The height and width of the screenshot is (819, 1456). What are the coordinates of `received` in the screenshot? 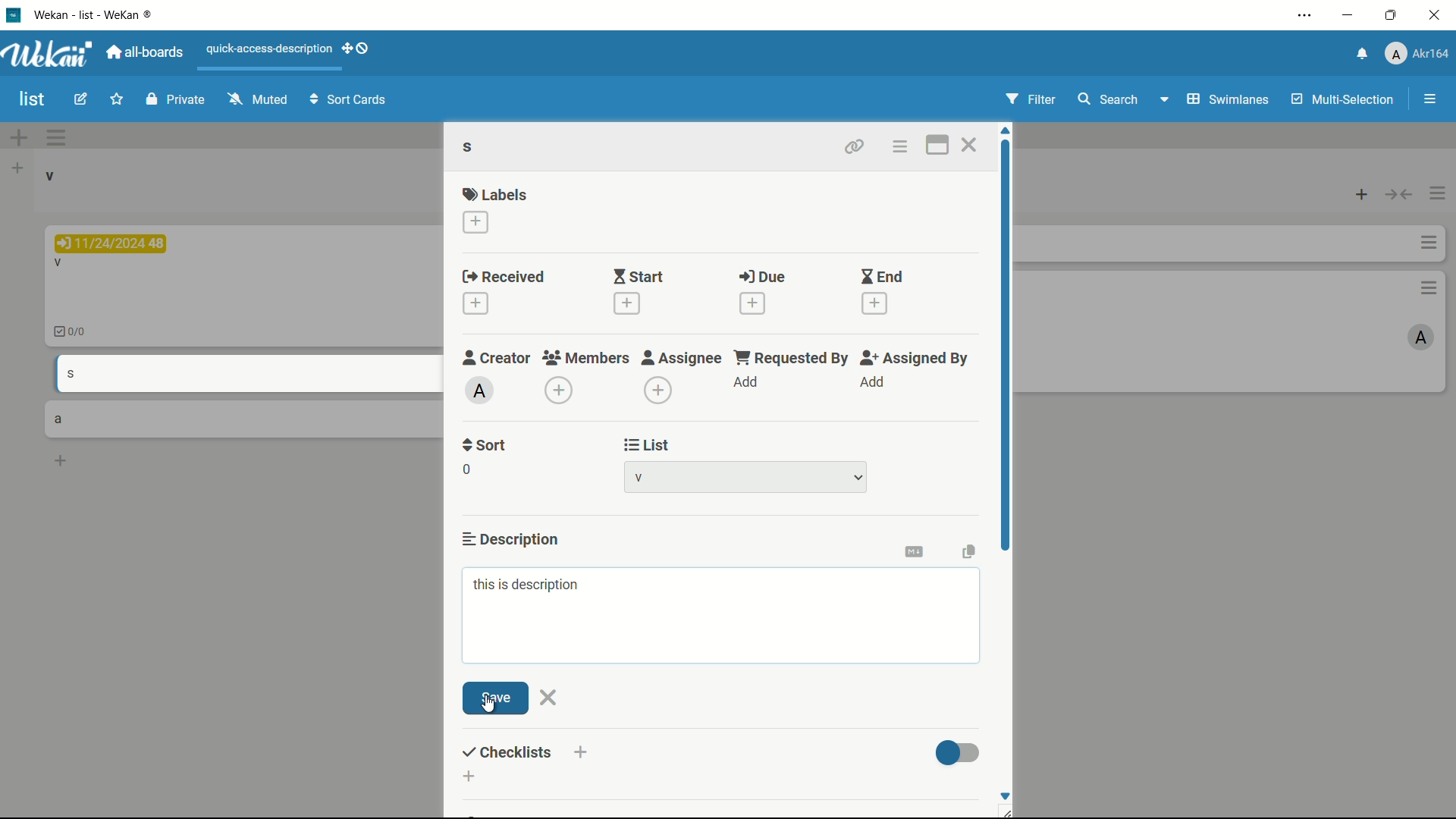 It's located at (504, 275).